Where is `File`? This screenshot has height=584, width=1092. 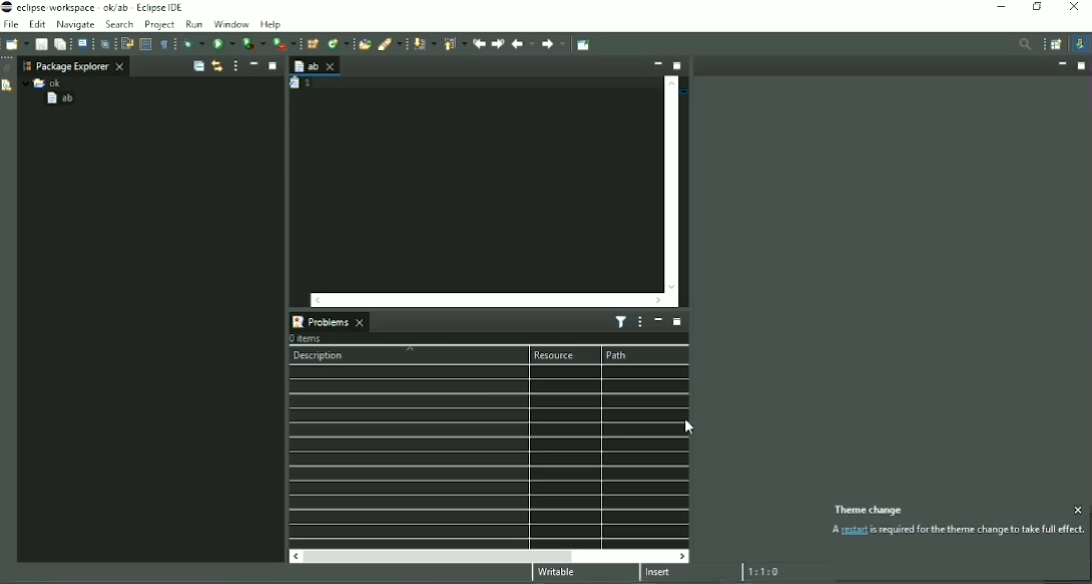
File is located at coordinates (12, 25).